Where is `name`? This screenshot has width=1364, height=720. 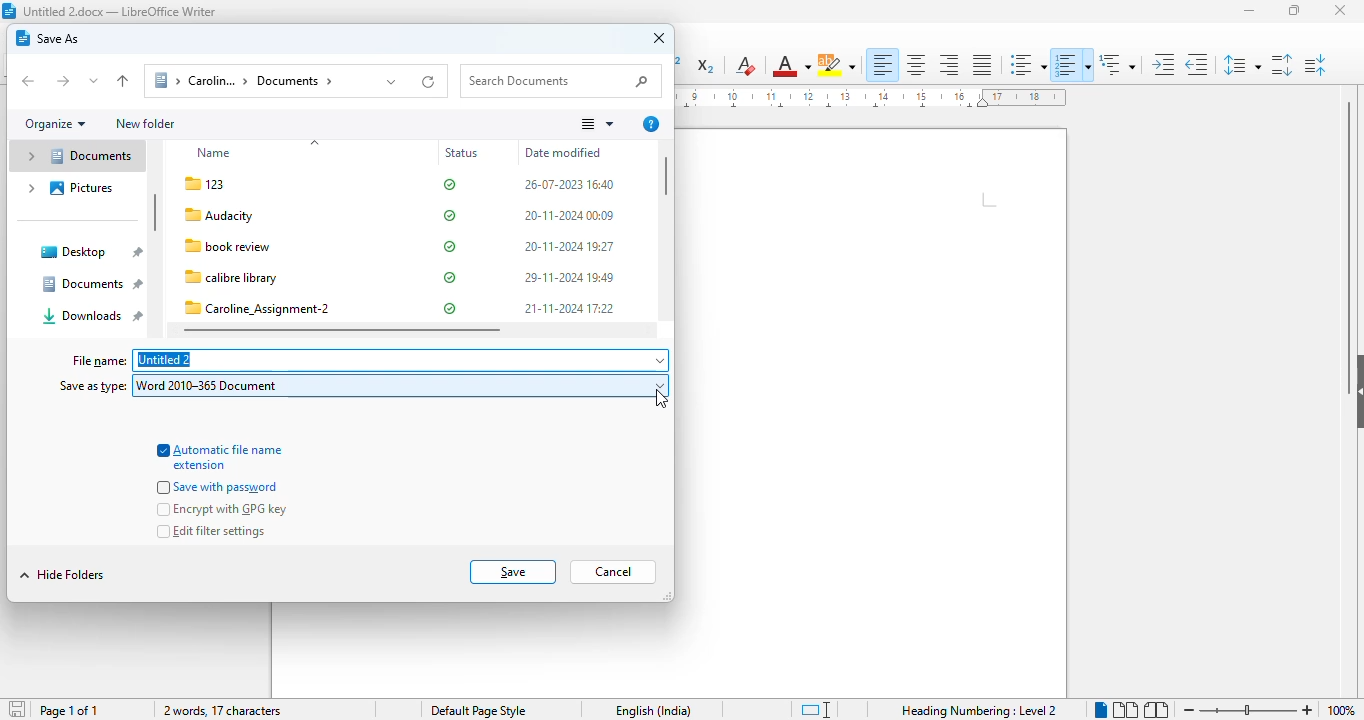
name is located at coordinates (217, 153).